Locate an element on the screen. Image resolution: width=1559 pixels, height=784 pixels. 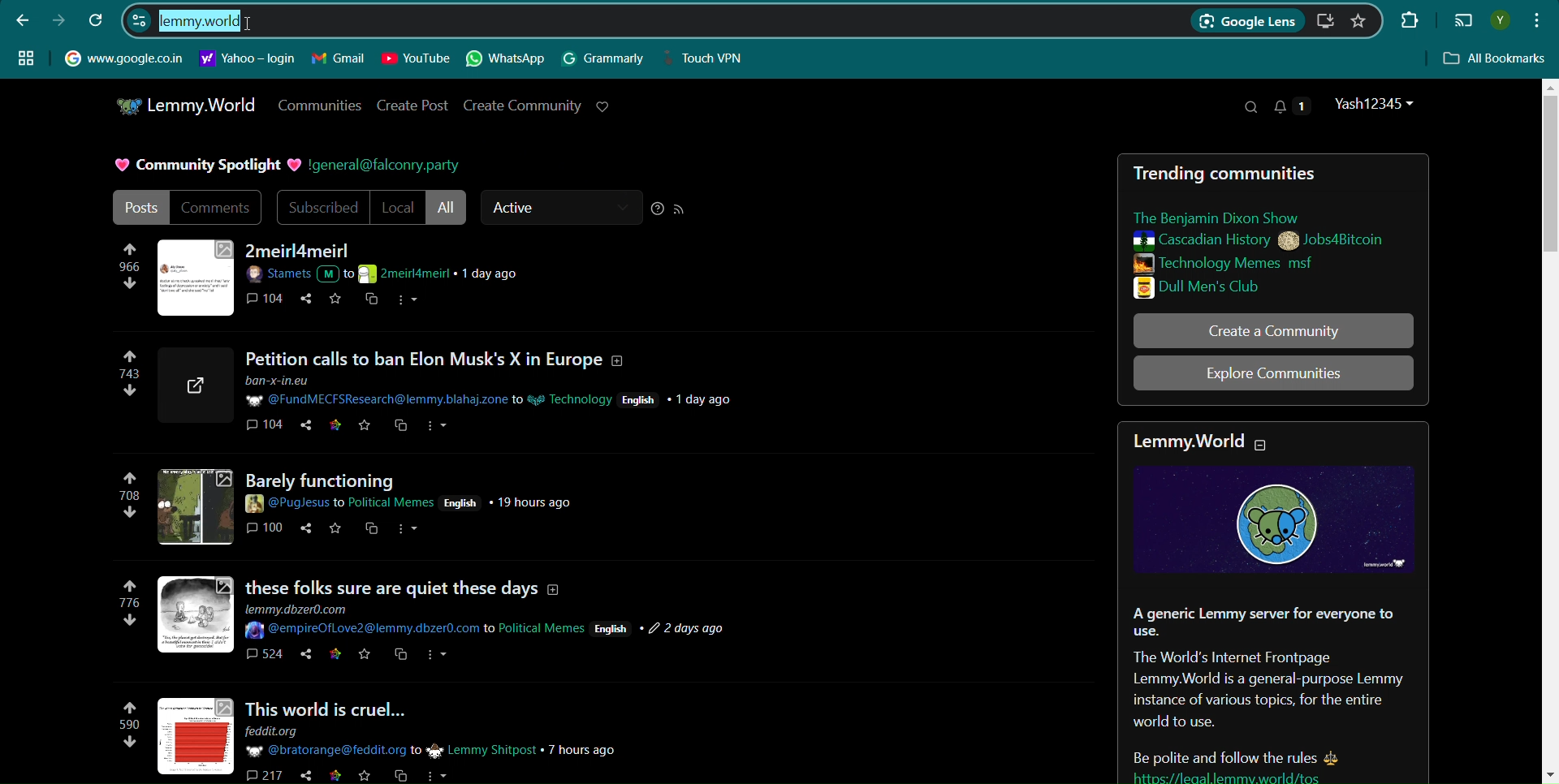
Hyperlink is located at coordinates (384, 166).